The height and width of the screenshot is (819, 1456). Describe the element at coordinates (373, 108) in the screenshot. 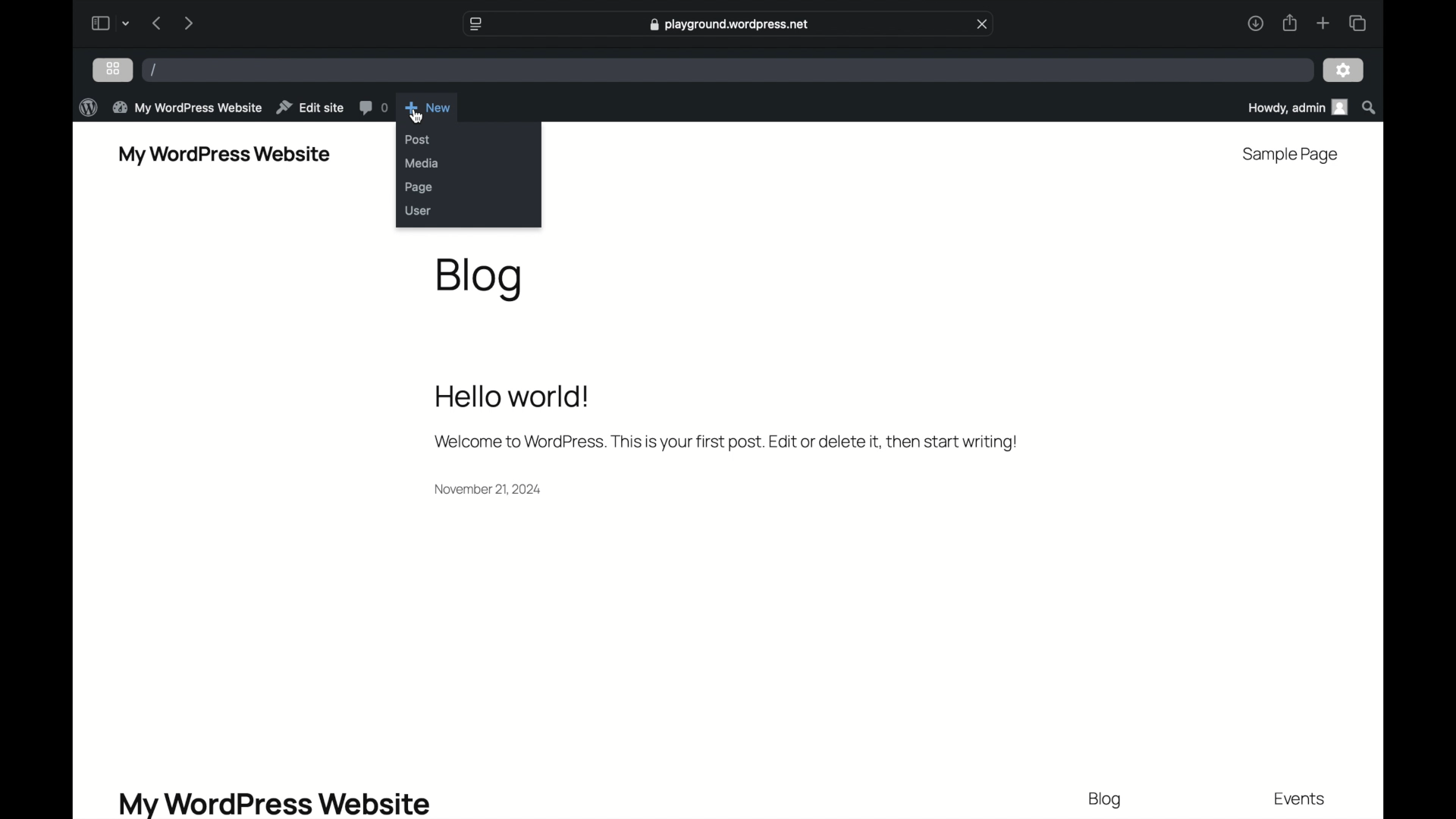

I see `comments` at that location.